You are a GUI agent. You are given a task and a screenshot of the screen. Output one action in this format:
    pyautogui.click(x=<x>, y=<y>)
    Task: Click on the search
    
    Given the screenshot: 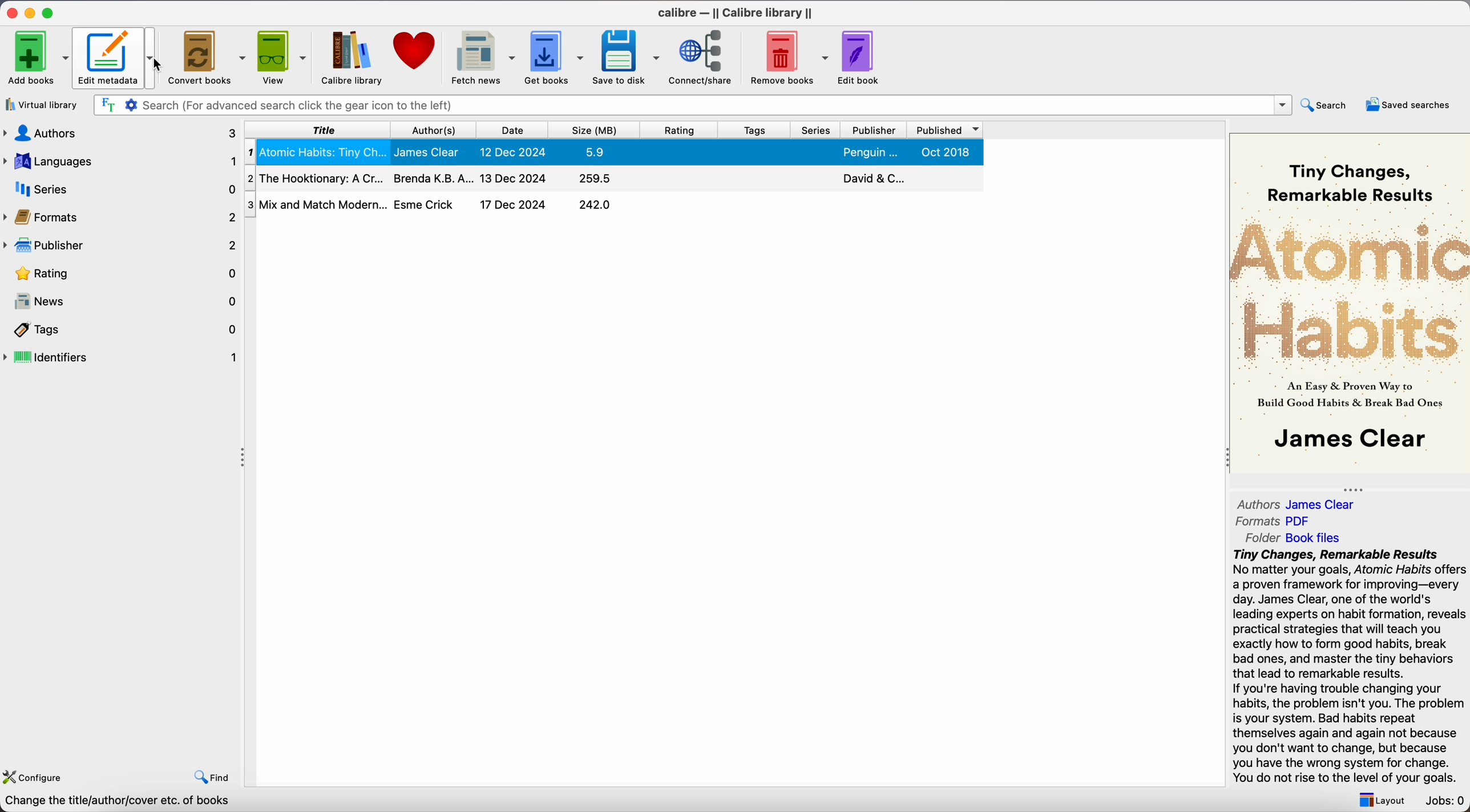 What is the action you would take?
    pyautogui.click(x=1327, y=104)
    